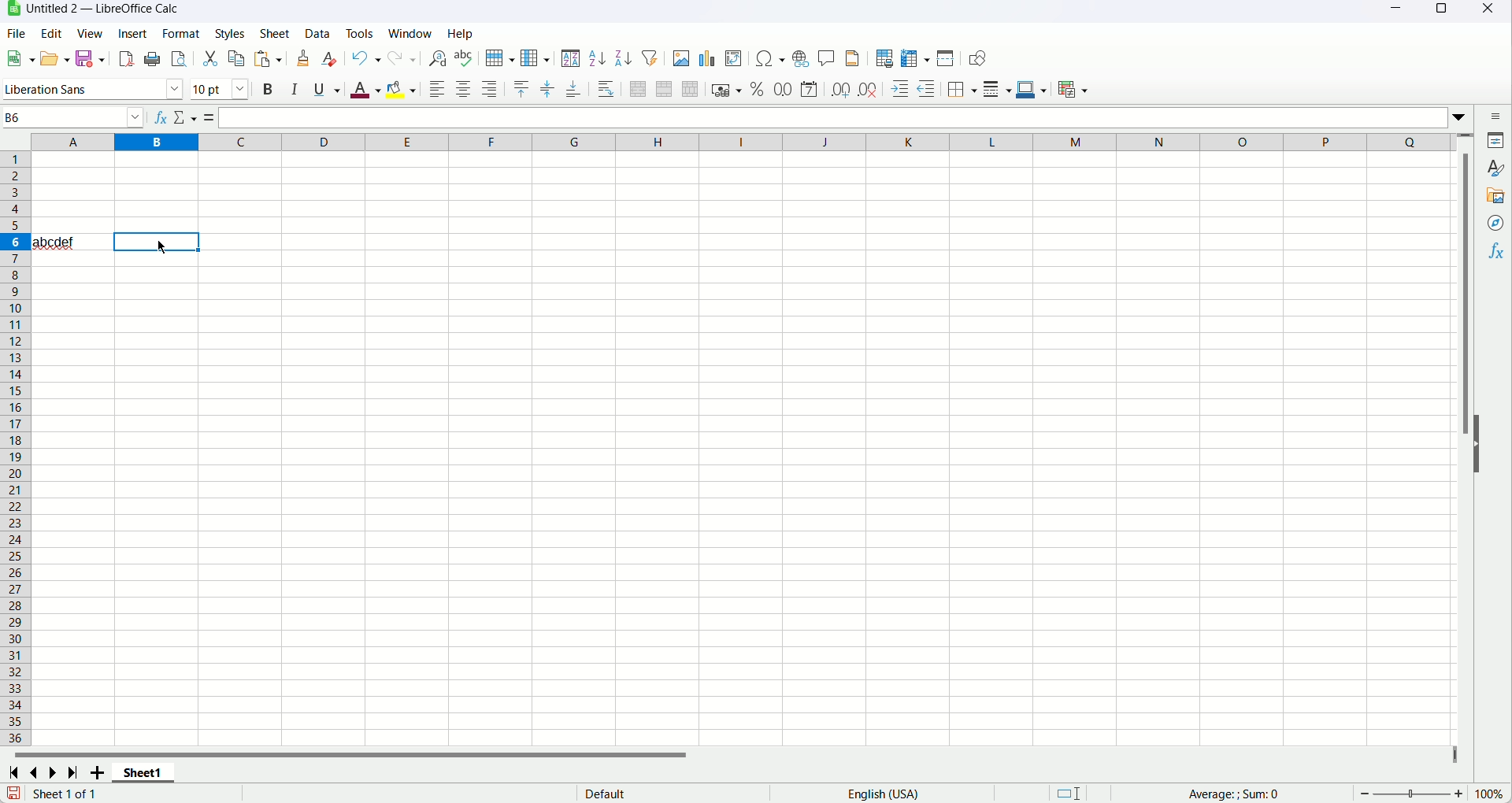 The image size is (1512, 803). I want to click on save, so click(89, 58).